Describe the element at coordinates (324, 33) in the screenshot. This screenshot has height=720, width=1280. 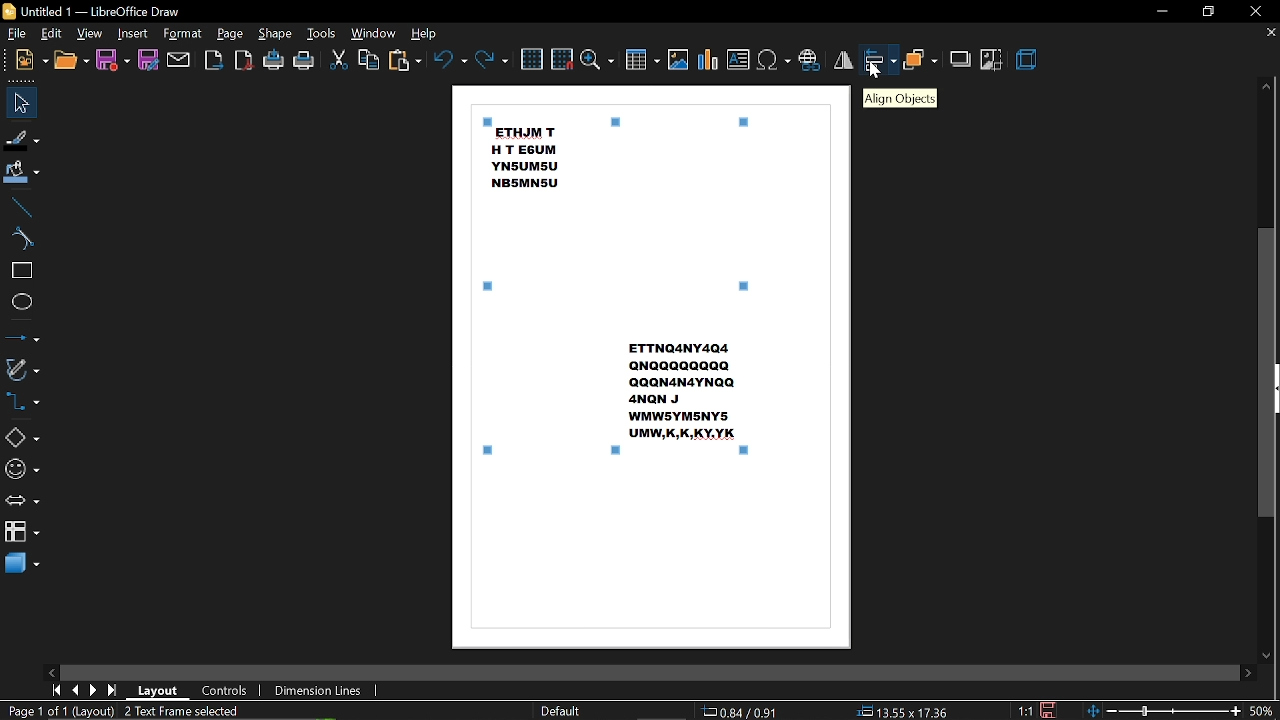
I see `tools` at that location.